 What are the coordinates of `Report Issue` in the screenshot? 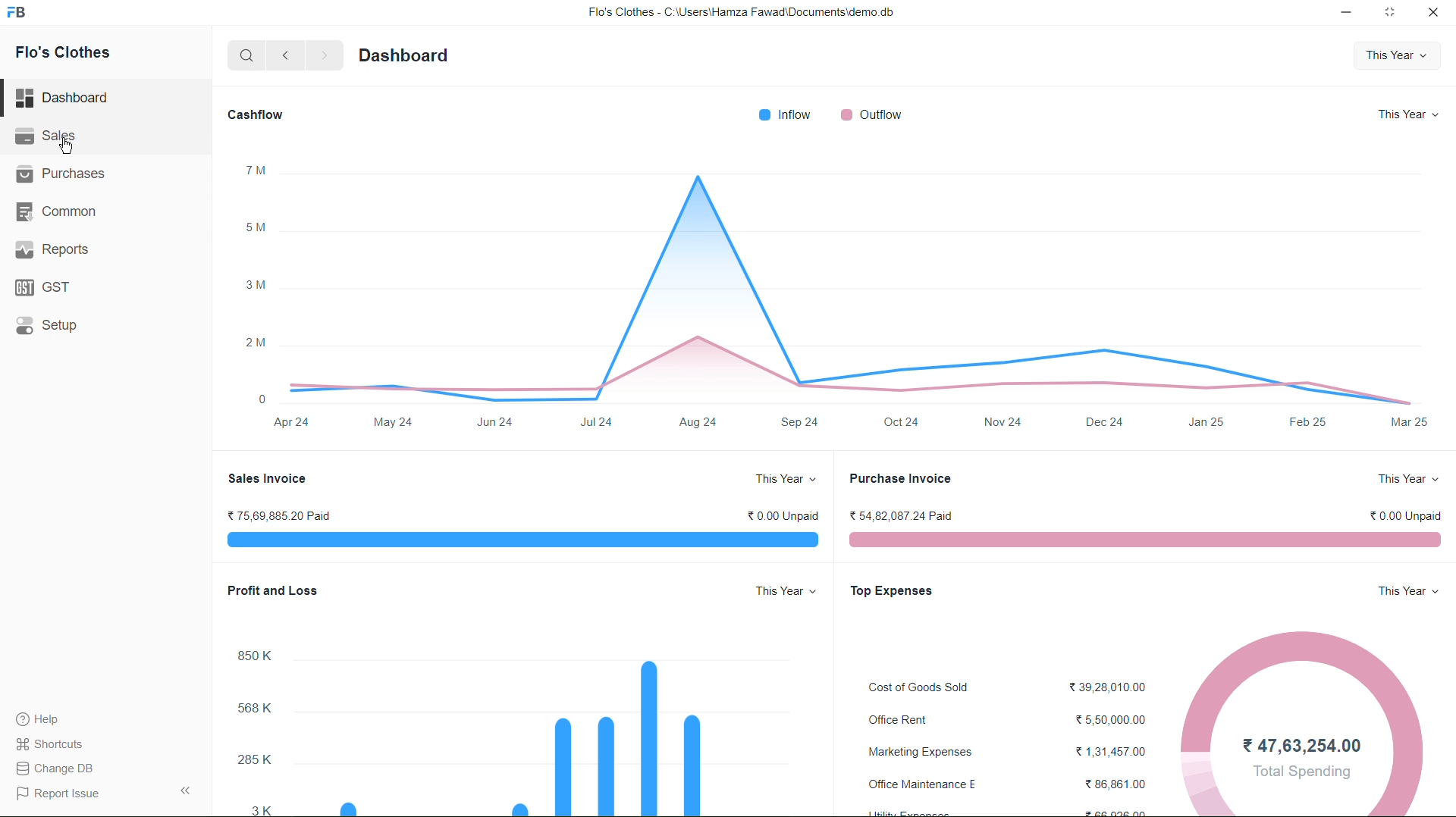 It's located at (58, 794).